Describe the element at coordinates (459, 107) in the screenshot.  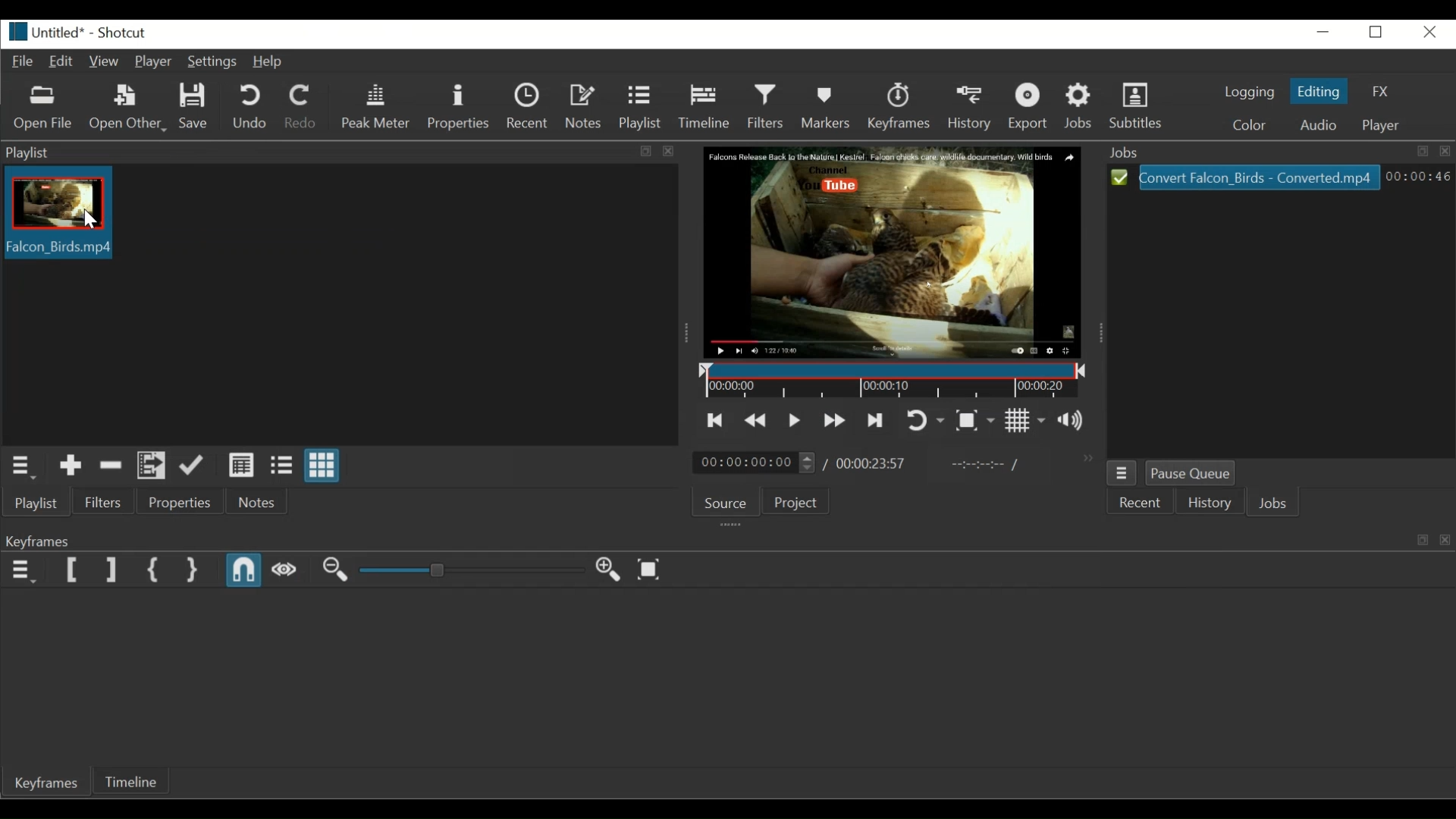
I see `Properties` at that location.